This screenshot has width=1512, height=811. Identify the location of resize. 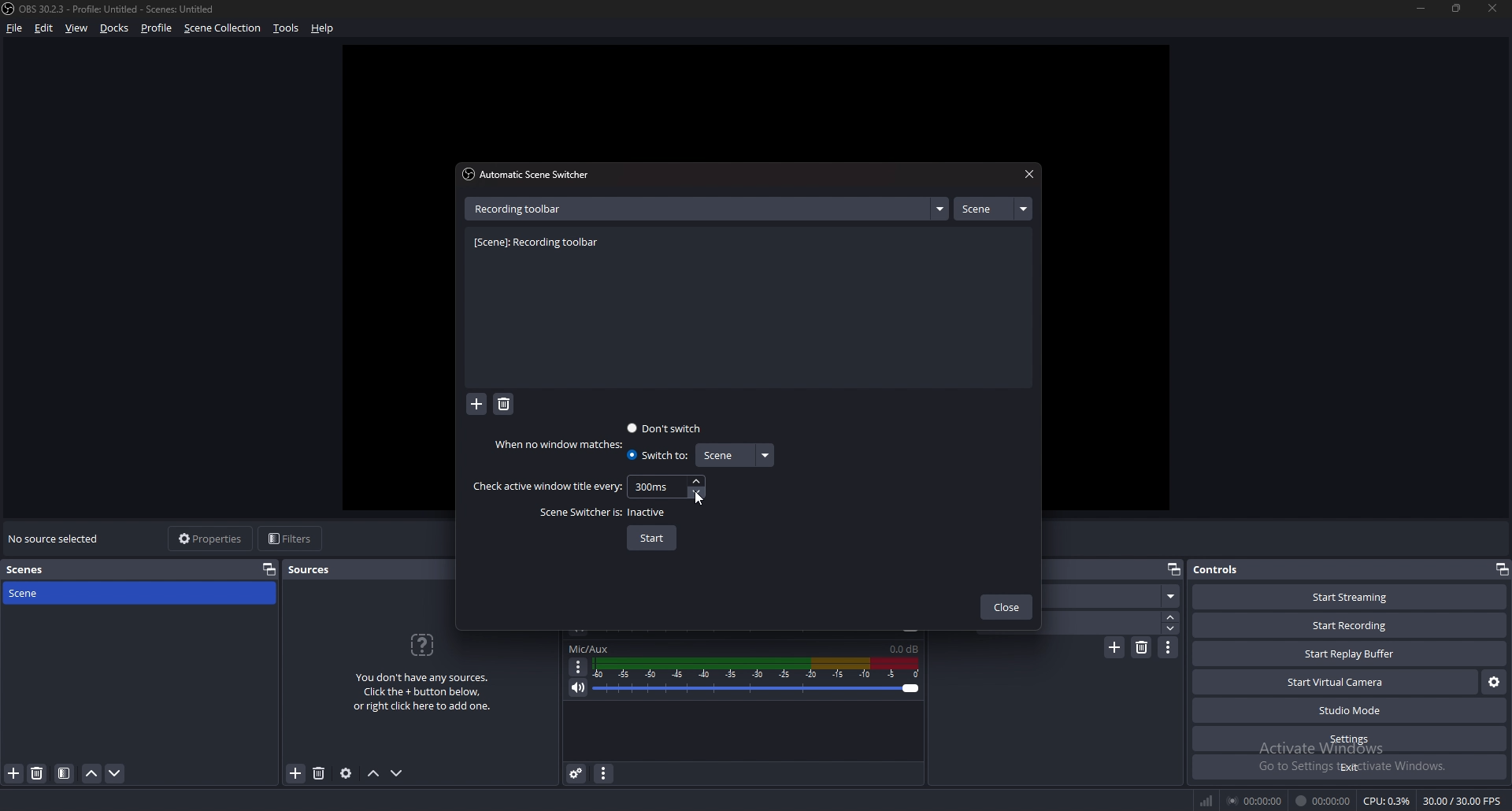
(1458, 8).